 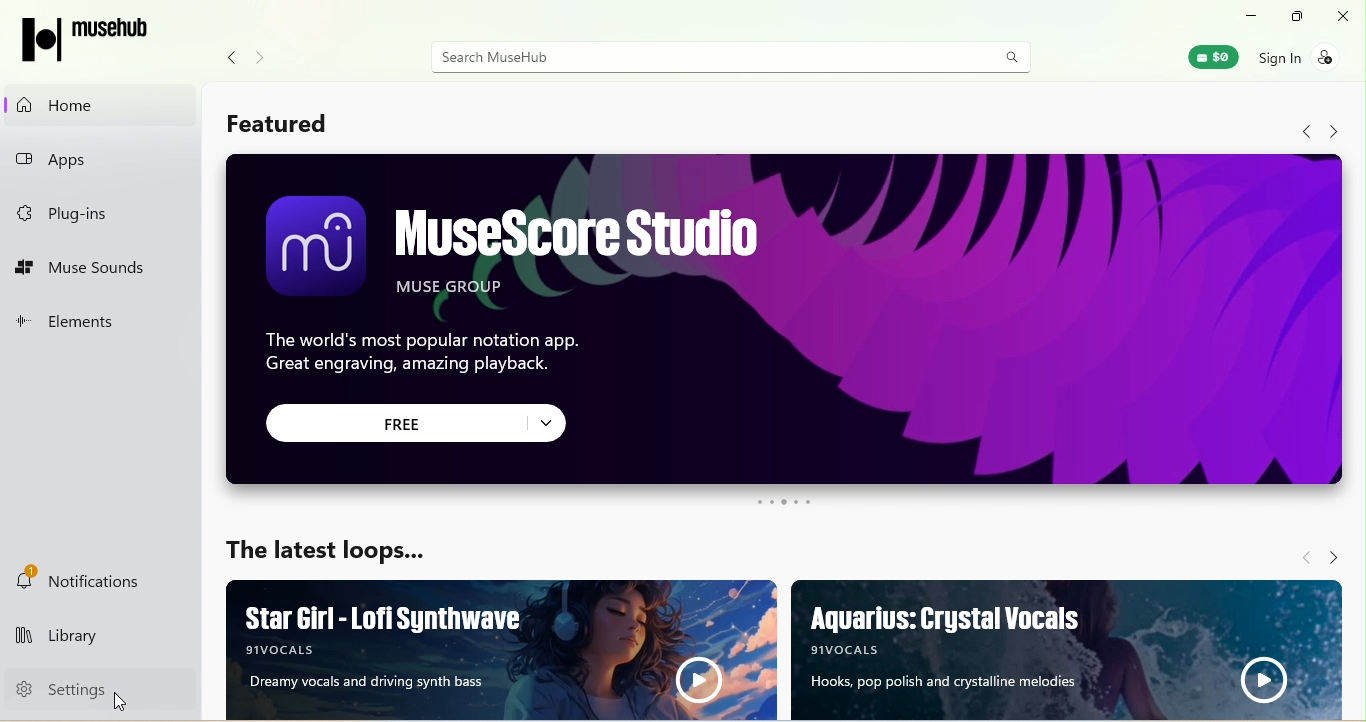 I want to click on Dreamy vocals and driving synth bass, so click(x=361, y=685).